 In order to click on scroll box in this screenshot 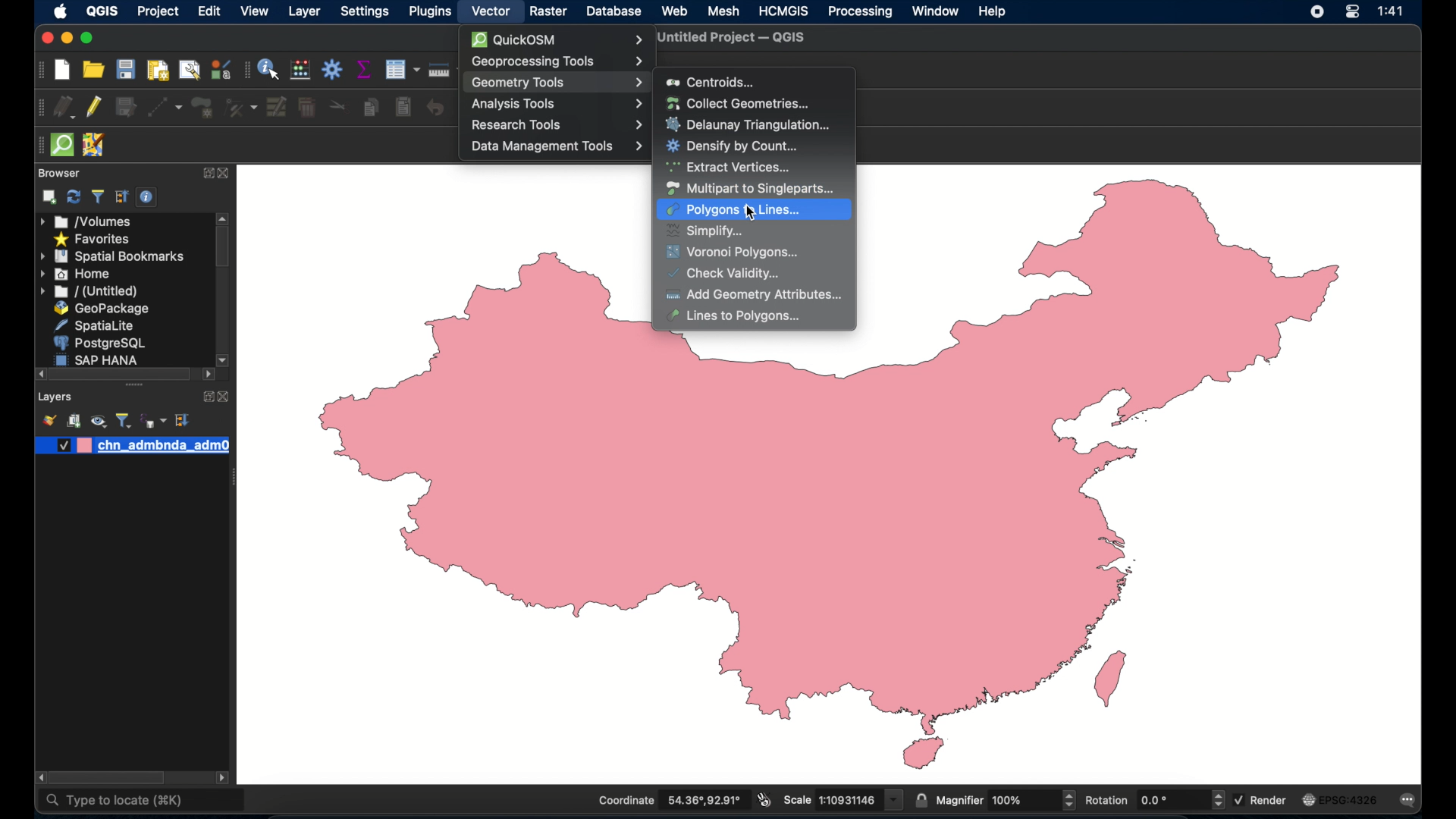, I will do `click(119, 374)`.